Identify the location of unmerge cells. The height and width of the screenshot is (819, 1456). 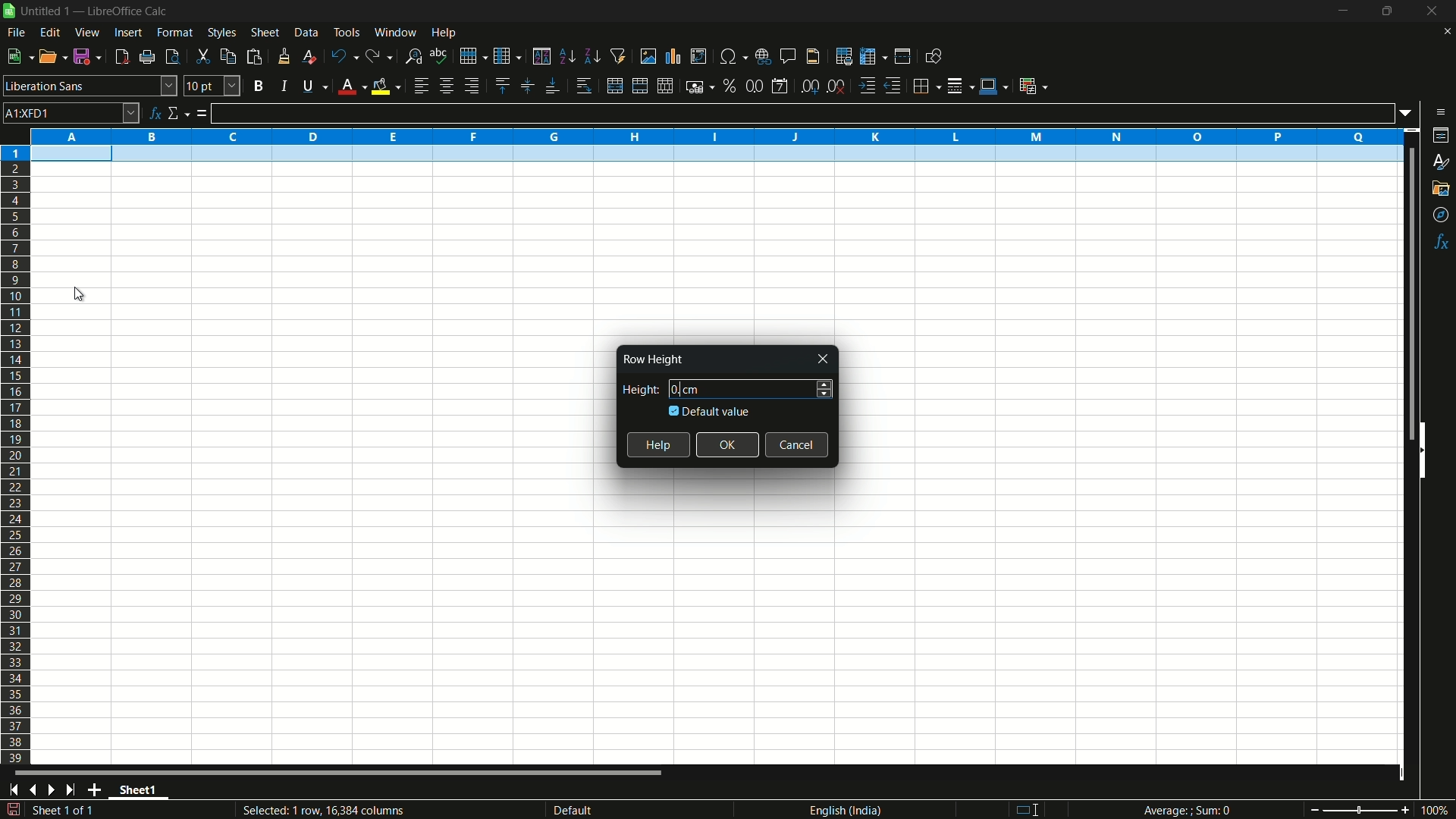
(666, 86).